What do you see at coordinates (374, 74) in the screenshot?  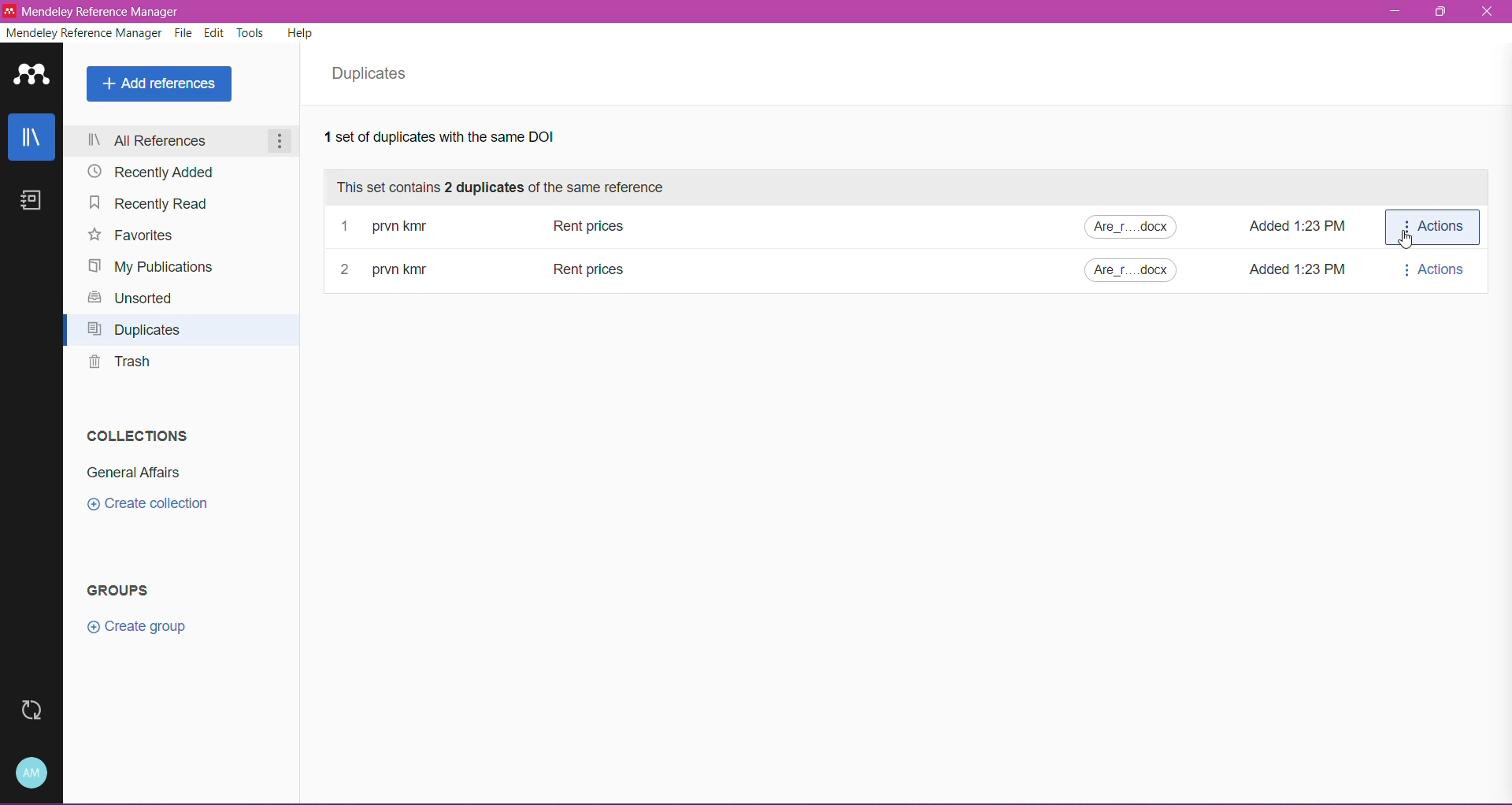 I see `Duplicates` at bounding box center [374, 74].